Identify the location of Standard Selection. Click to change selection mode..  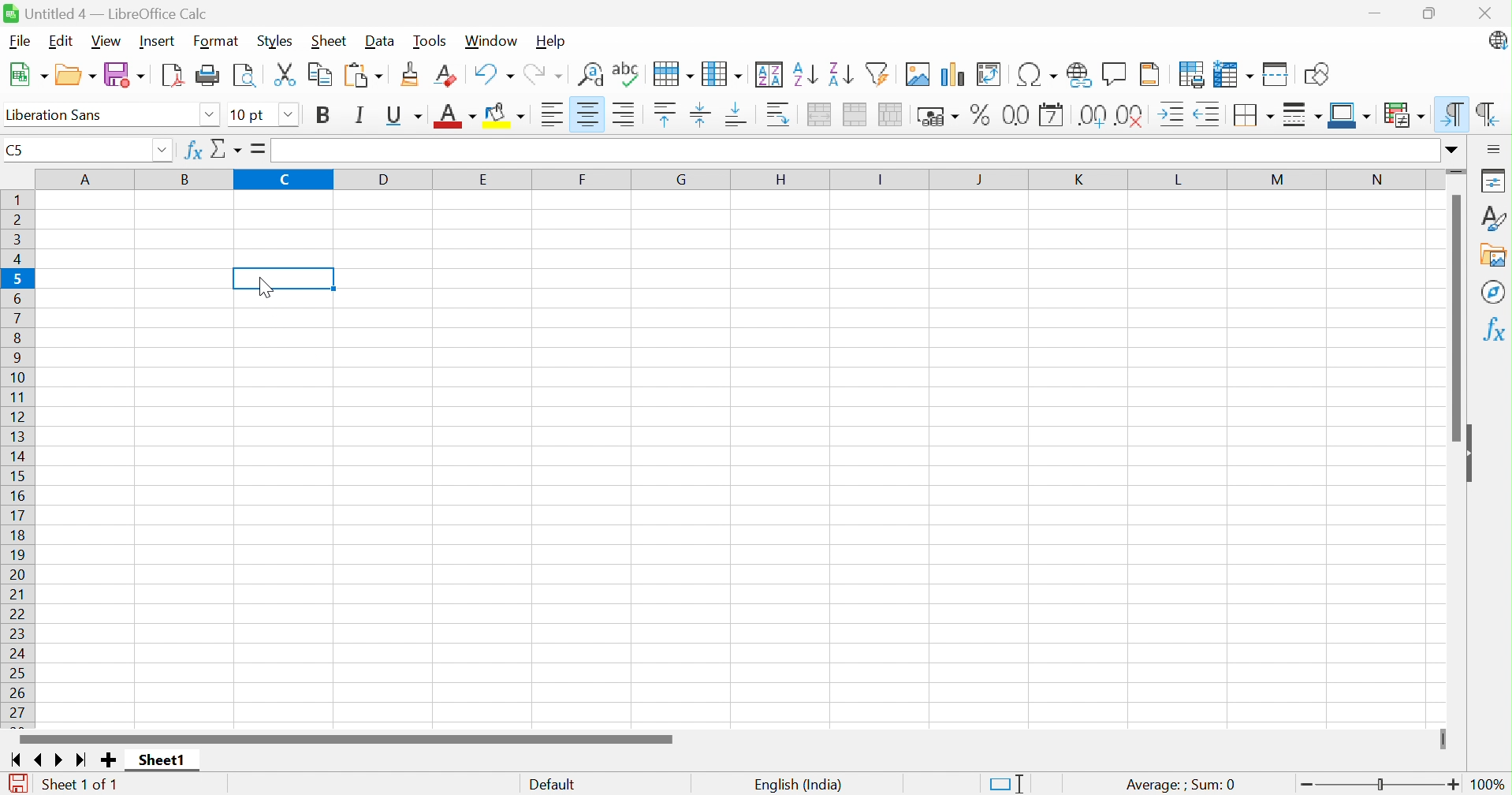
(1005, 782).